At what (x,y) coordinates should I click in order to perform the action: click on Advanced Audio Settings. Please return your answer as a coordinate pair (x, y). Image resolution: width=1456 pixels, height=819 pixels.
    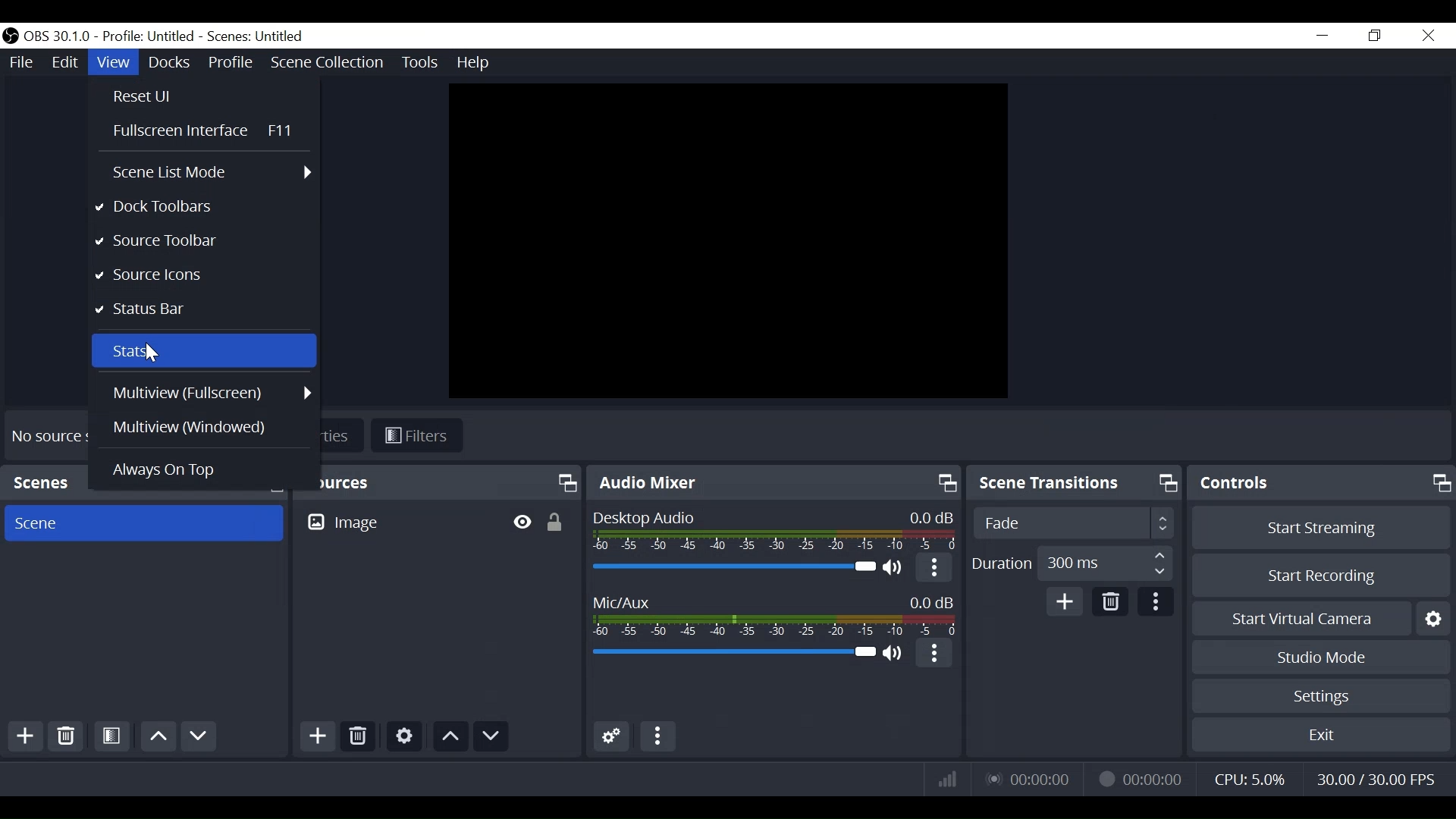
    Looking at the image, I should click on (611, 736).